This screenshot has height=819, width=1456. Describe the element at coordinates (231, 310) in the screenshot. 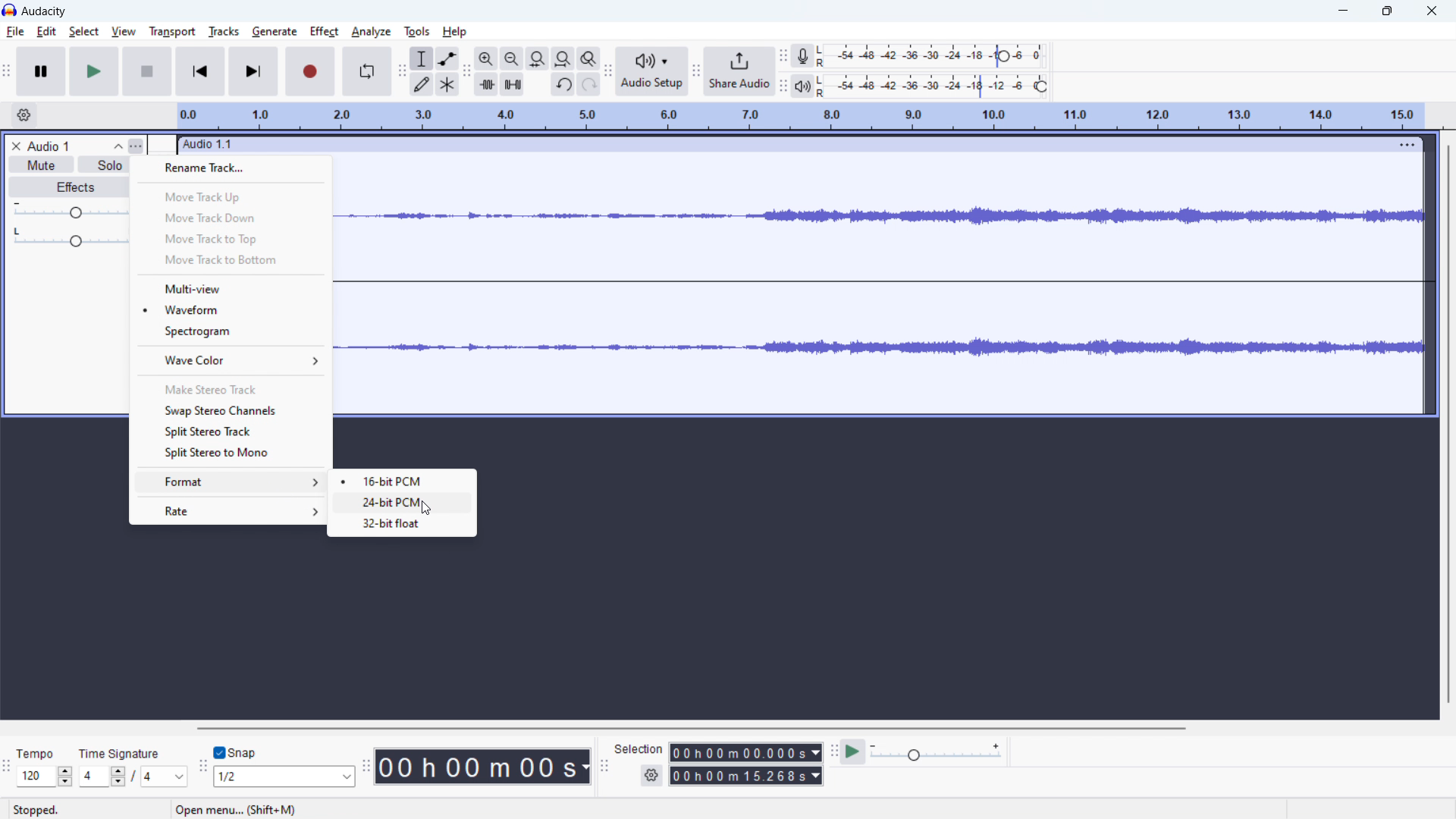

I see `wavefrom` at that location.